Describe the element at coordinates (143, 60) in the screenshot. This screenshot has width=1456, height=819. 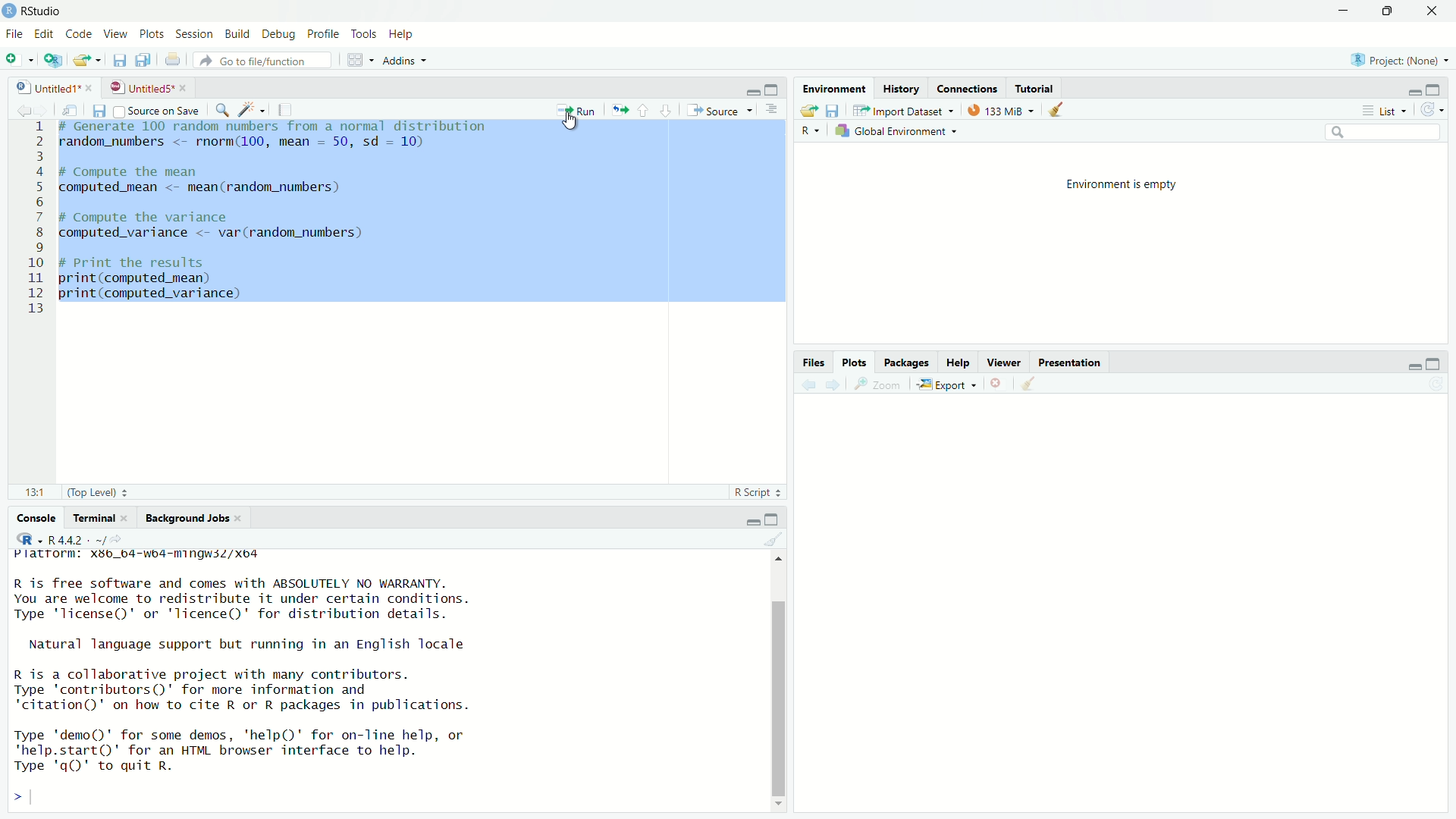
I see `save all open document` at that location.